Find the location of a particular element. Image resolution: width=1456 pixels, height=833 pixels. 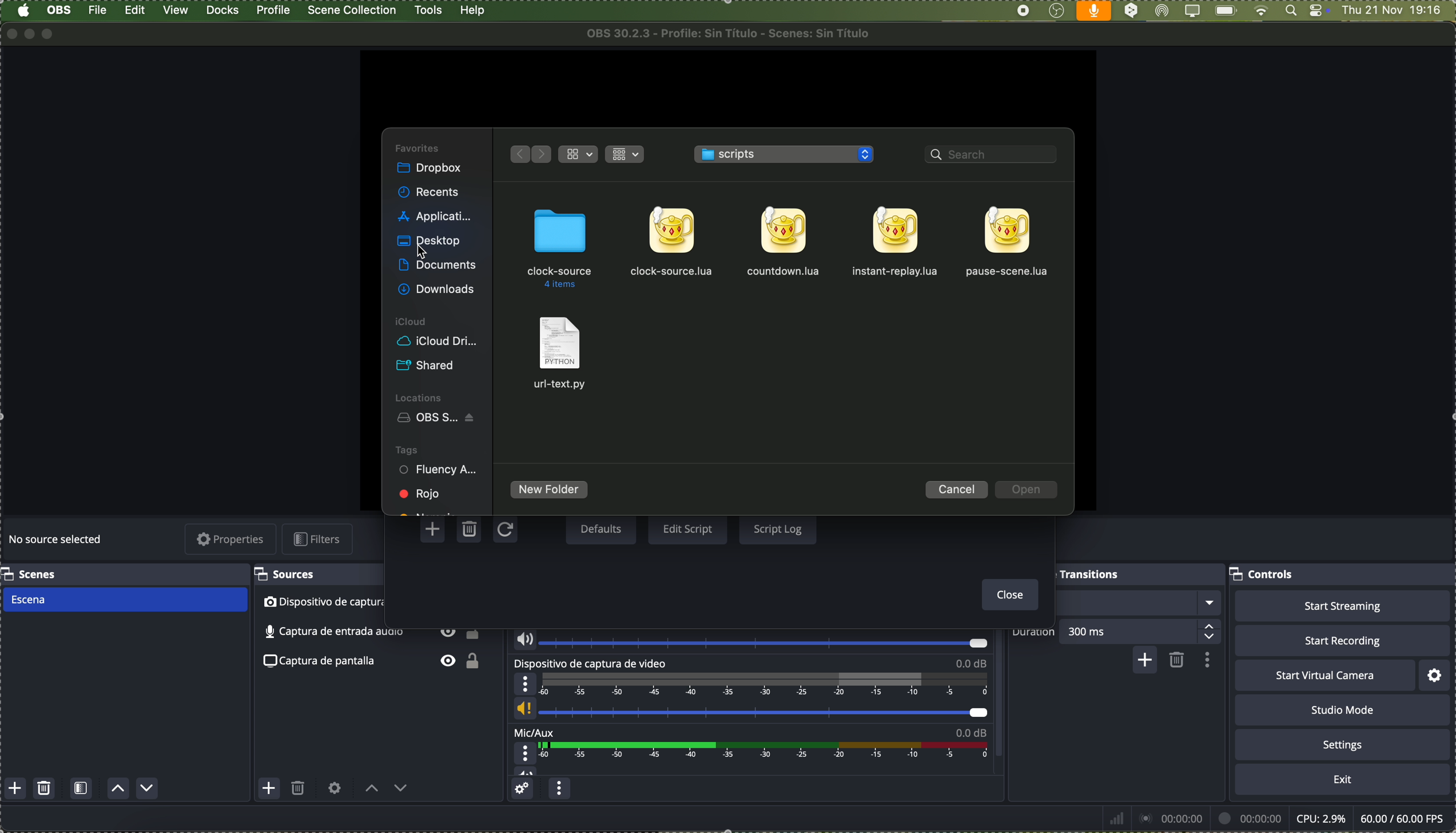

scroll bar is located at coordinates (1004, 675).